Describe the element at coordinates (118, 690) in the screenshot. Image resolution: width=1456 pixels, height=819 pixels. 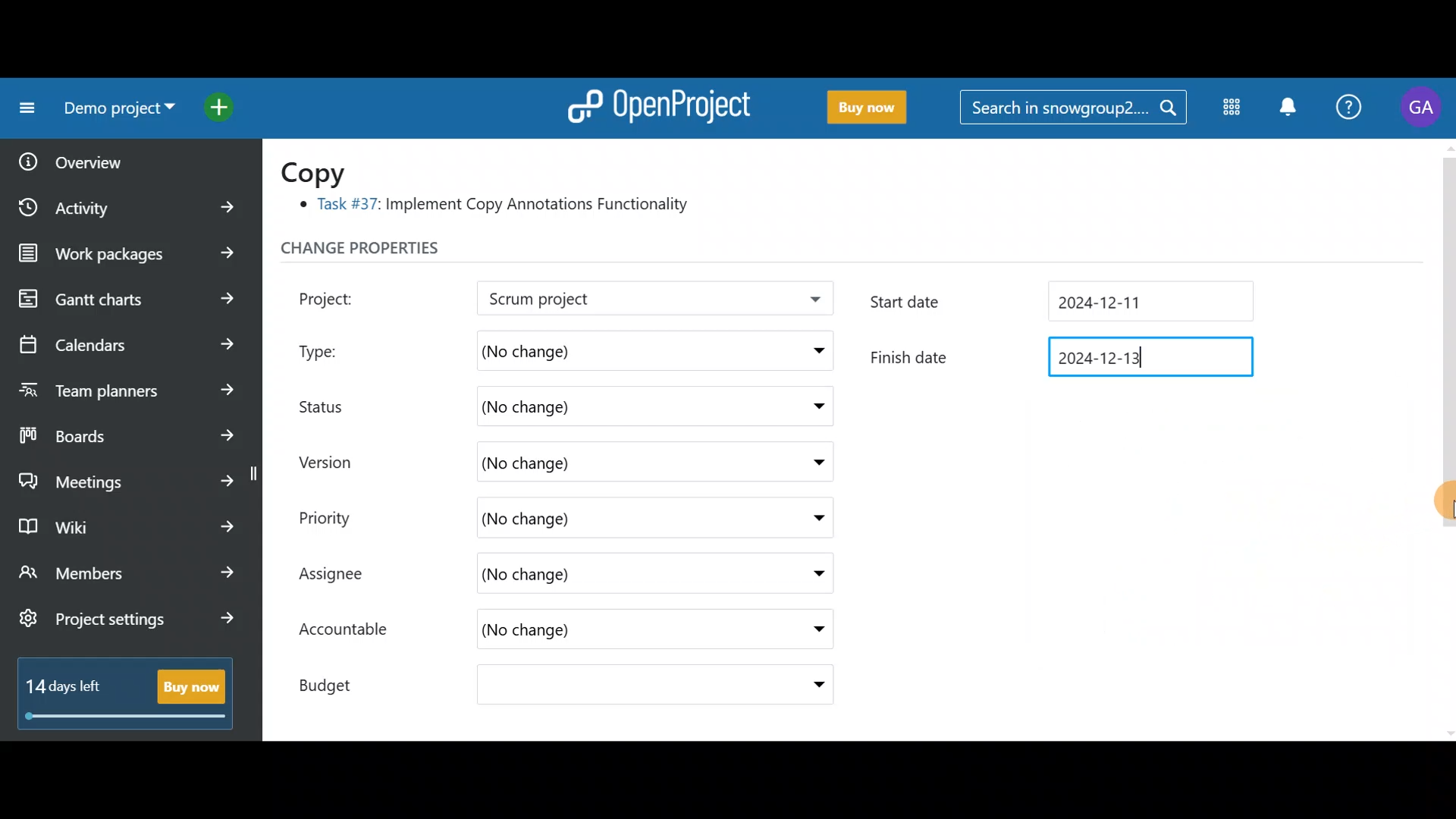
I see `14 days left - Buy now` at that location.